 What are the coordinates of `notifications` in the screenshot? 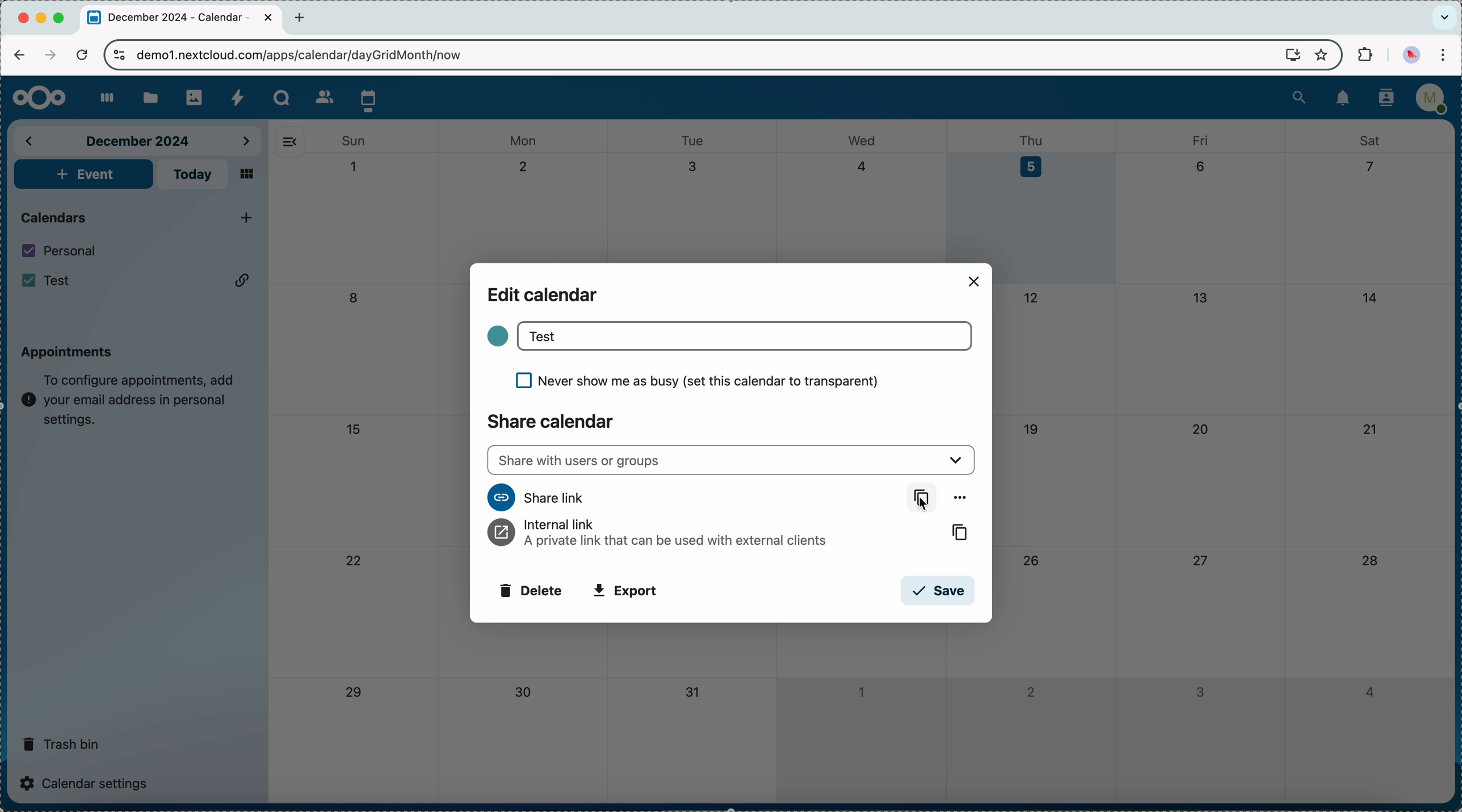 It's located at (1343, 99).